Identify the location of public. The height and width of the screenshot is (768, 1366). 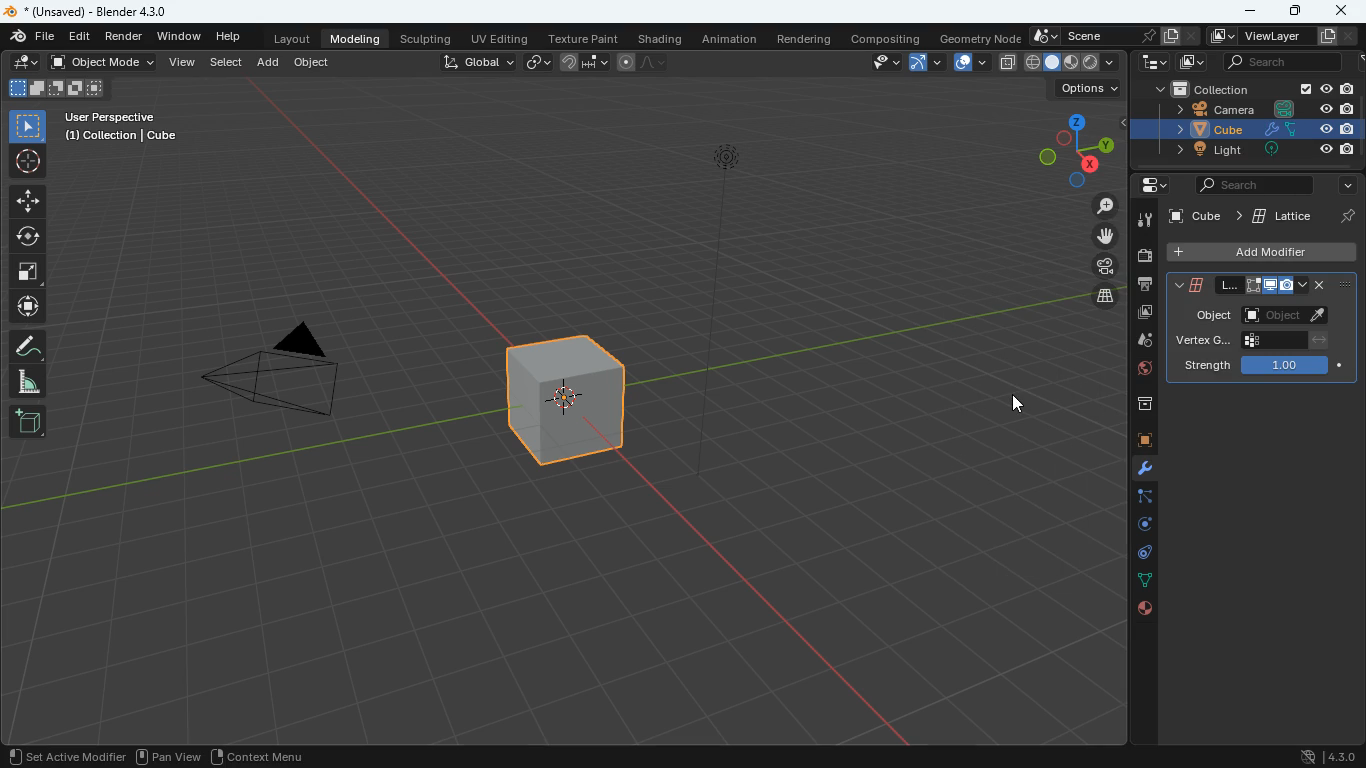
(1144, 610).